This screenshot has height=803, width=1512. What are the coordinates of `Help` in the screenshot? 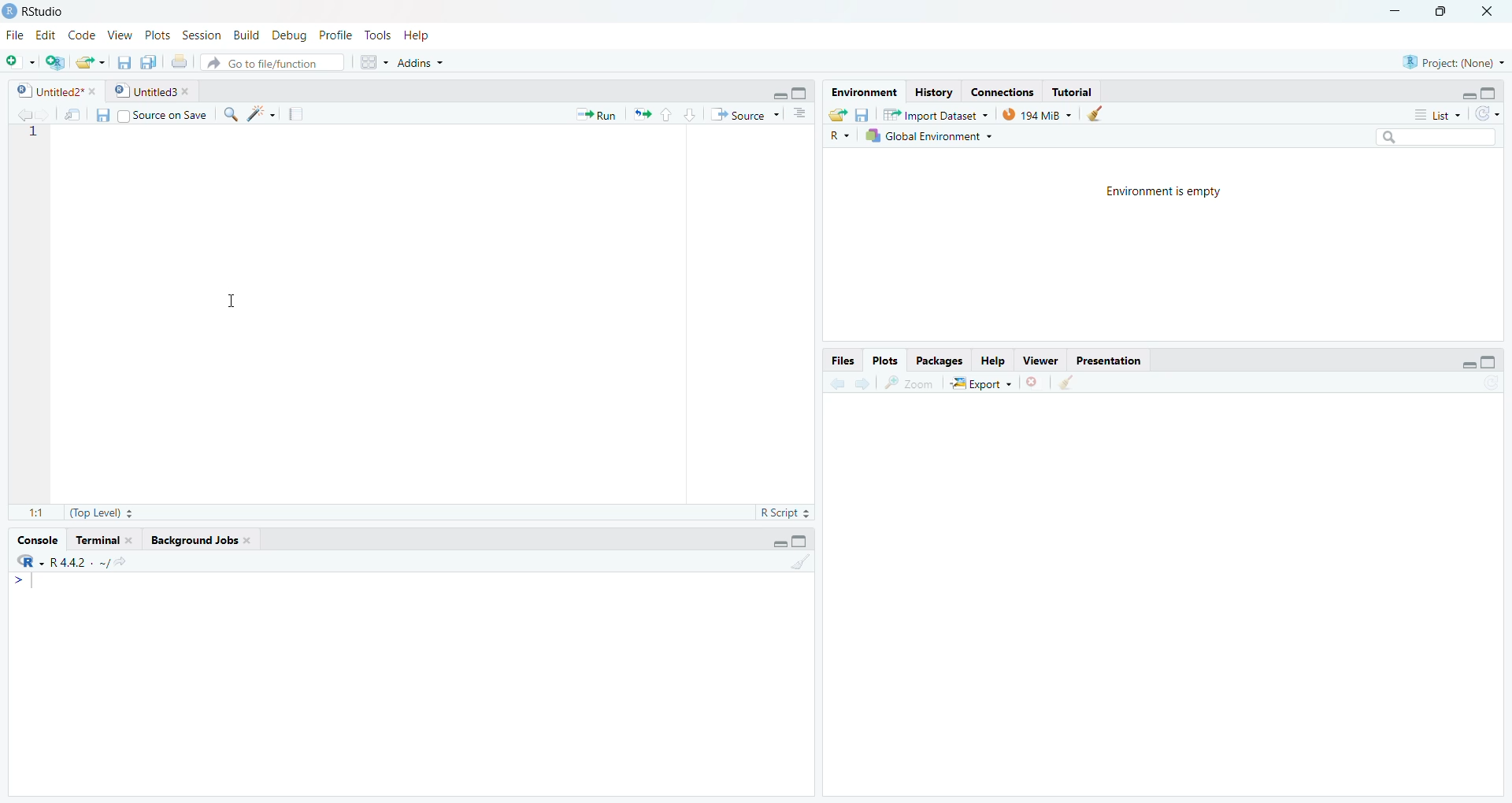 It's located at (991, 362).